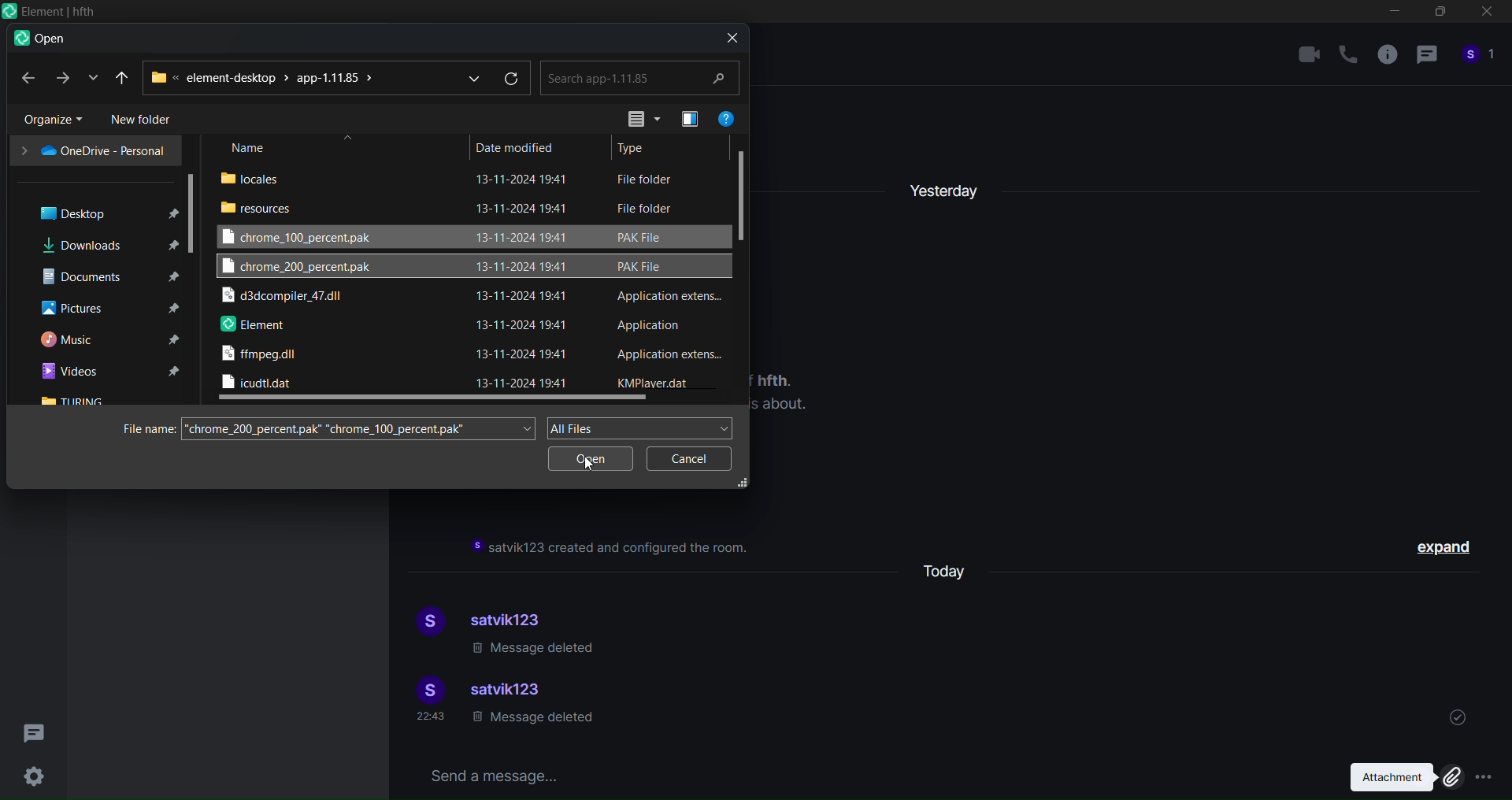 The width and height of the screenshot is (1512, 800). Describe the element at coordinates (76, 401) in the screenshot. I see `turing folder` at that location.